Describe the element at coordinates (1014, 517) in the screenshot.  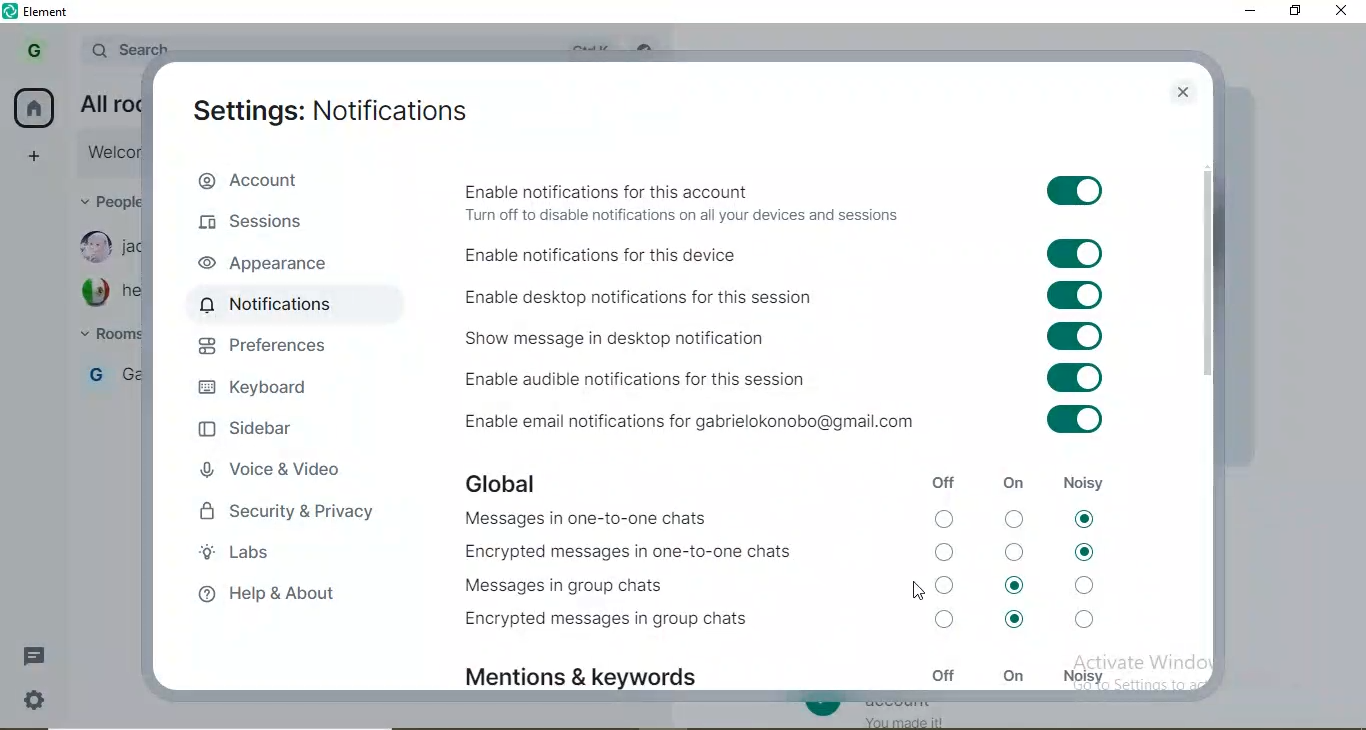
I see `switch off` at that location.